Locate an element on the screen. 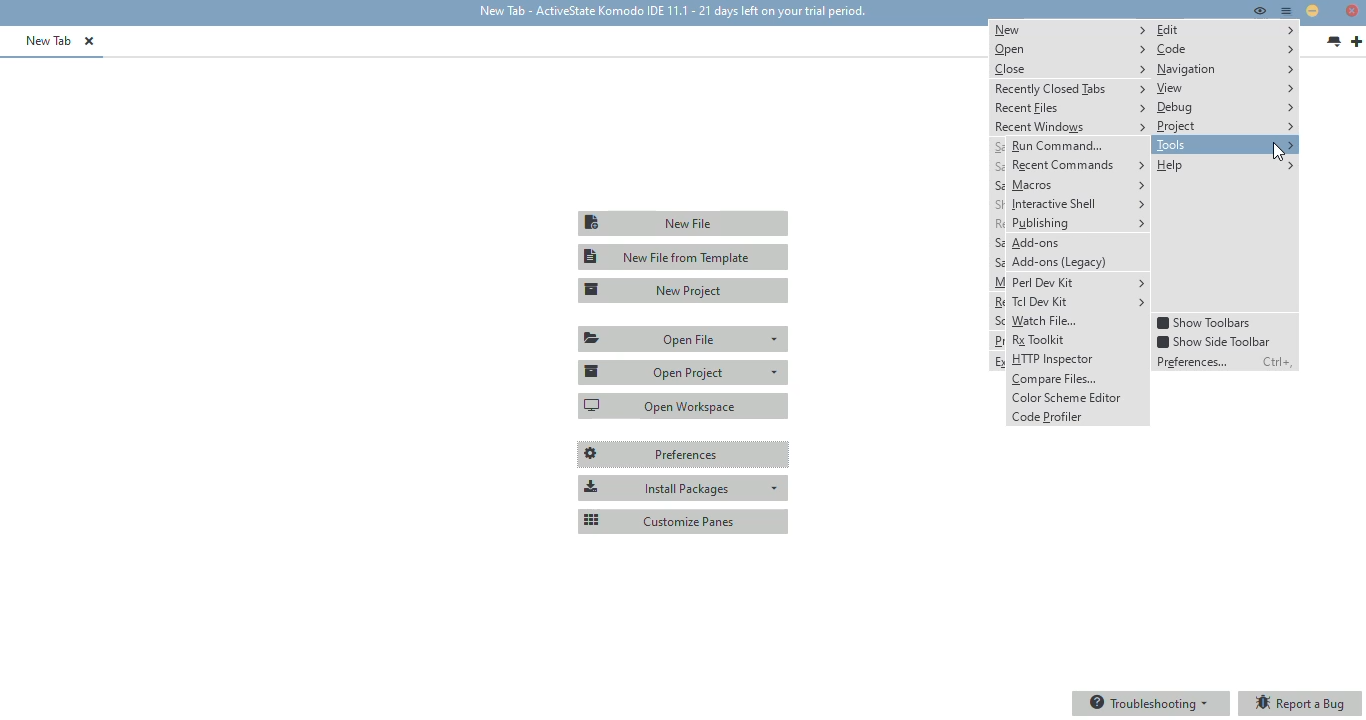  debug is located at coordinates (1225, 108).